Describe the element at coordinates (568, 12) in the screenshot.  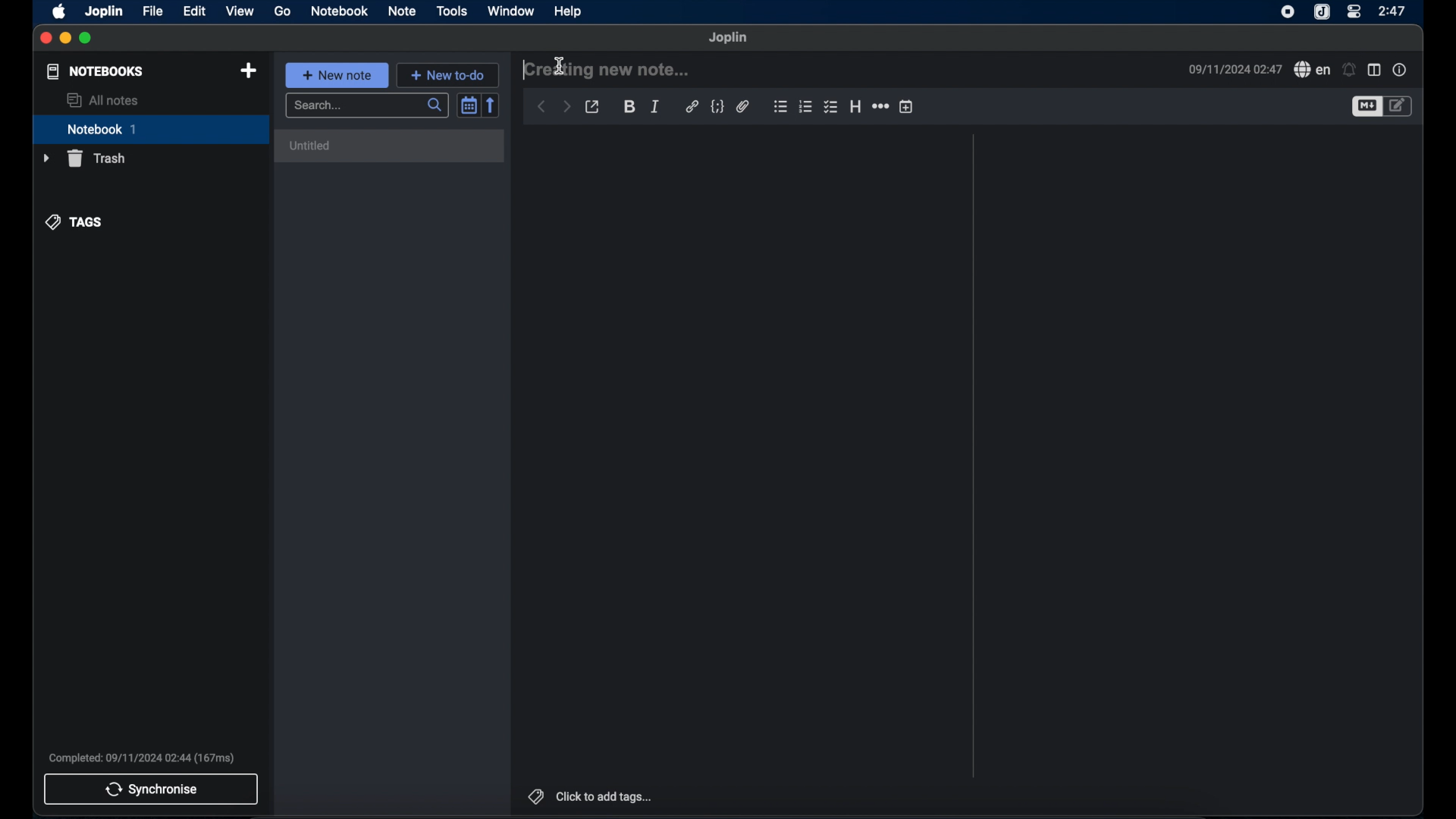
I see `help` at that location.